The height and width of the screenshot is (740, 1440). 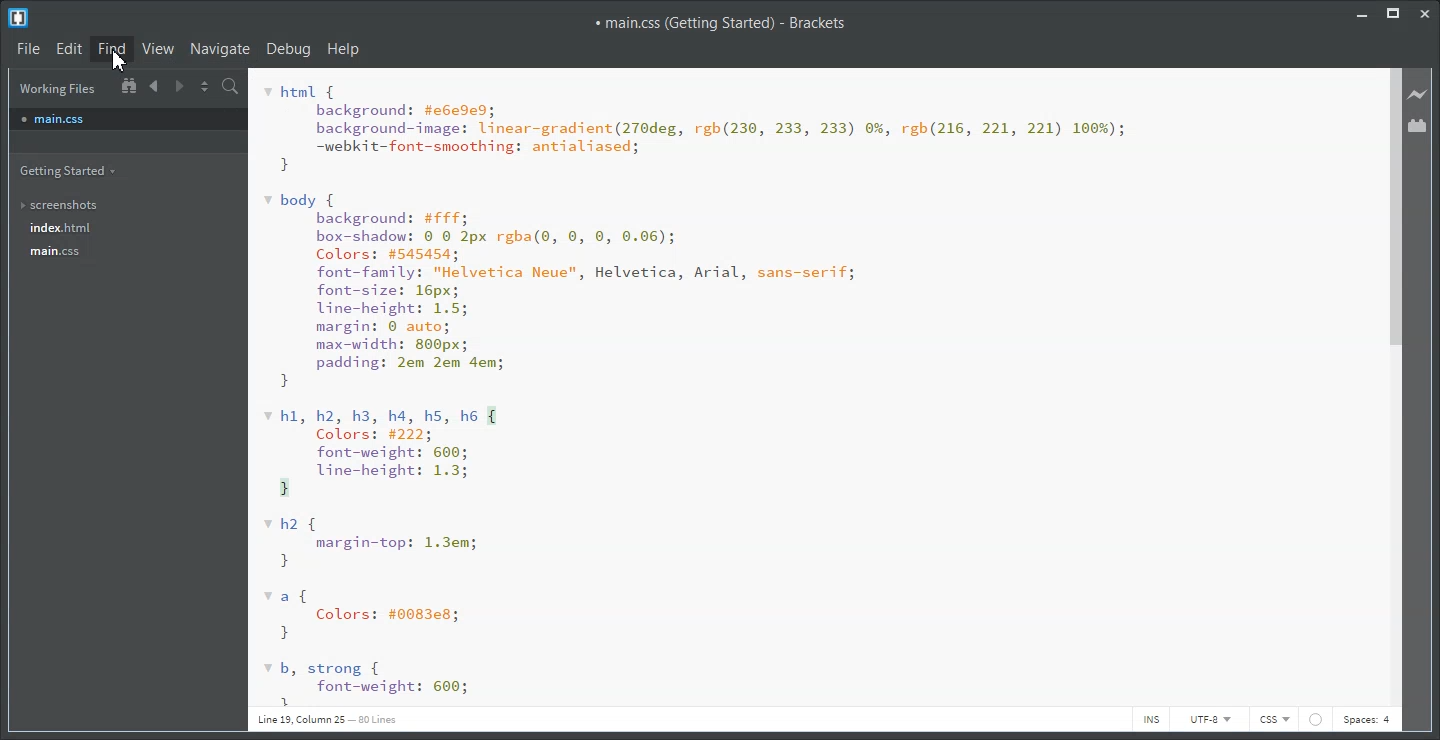 What do you see at coordinates (71, 228) in the screenshot?
I see `index.html` at bounding box center [71, 228].